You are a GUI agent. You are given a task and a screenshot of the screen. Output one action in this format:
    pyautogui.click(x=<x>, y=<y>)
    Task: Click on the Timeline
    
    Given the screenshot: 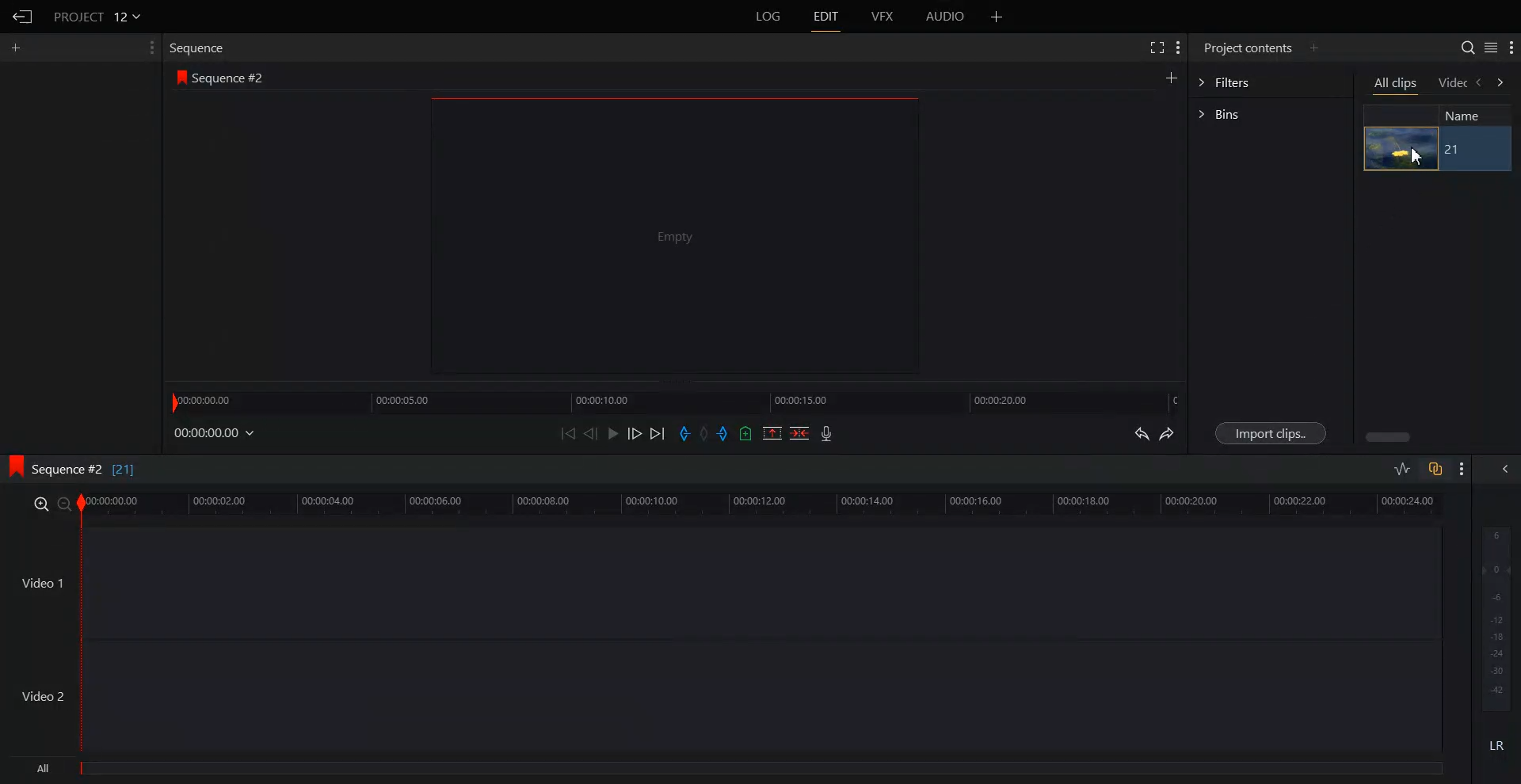 What is the action you would take?
    pyautogui.click(x=677, y=400)
    